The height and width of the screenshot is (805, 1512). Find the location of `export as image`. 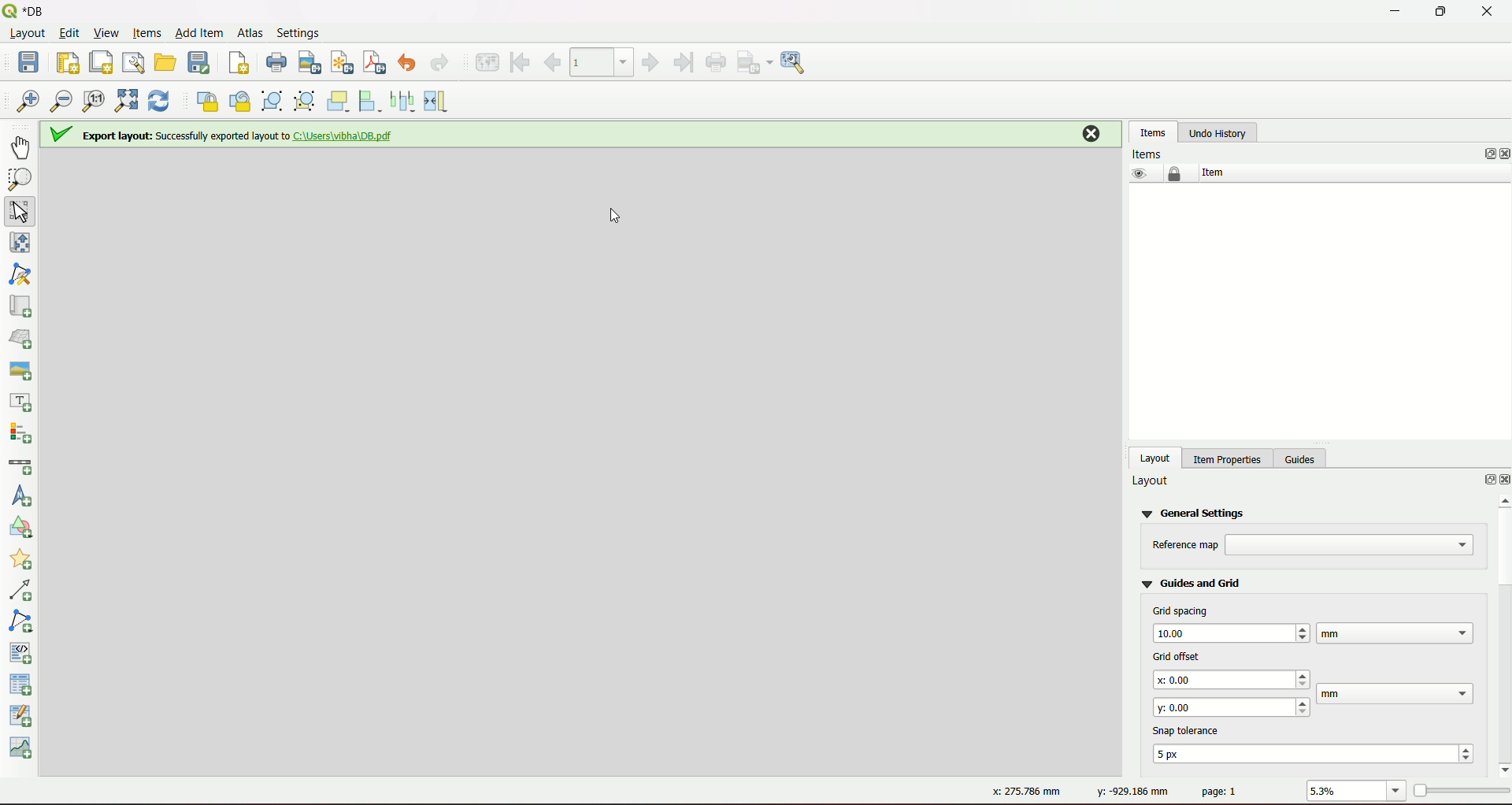

export as image is located at coordinates (309, 64).